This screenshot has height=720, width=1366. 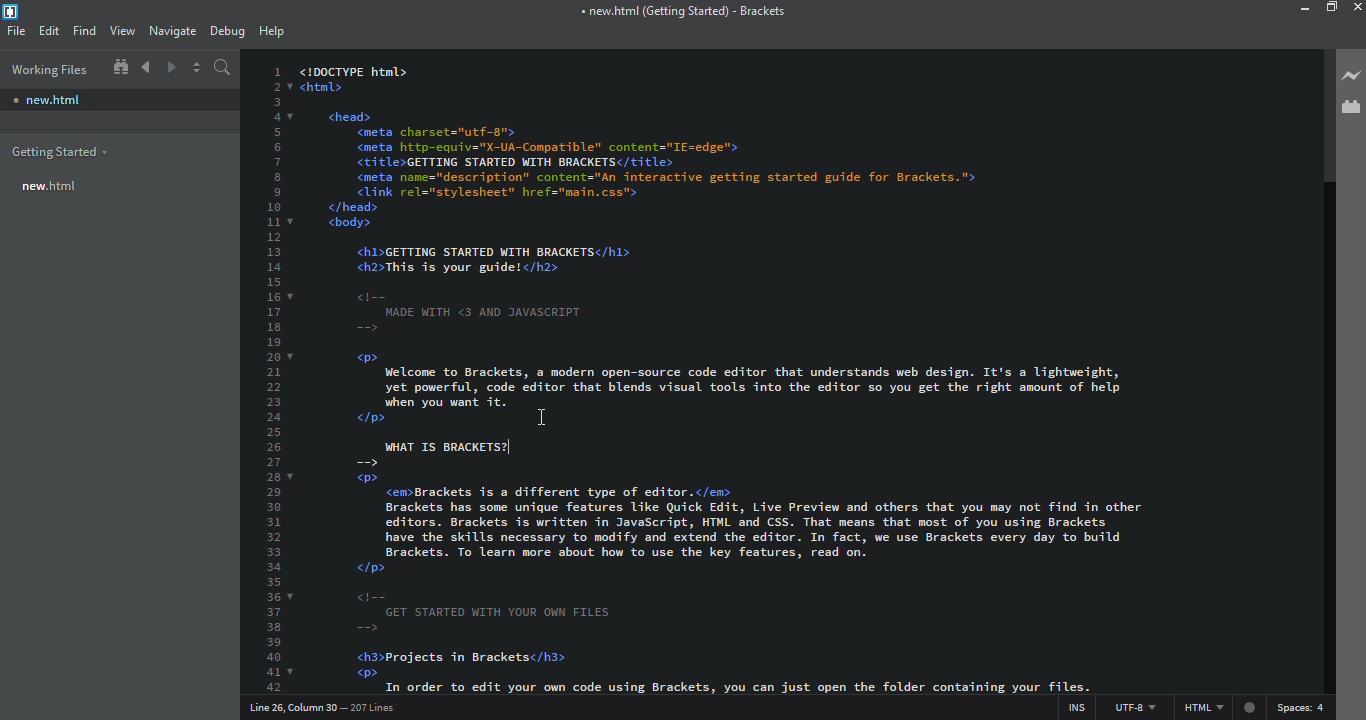 What do you see at coordinates (1351, 108) in the screenshot?
I see `extension manager` at bounding box center [1351, 108].